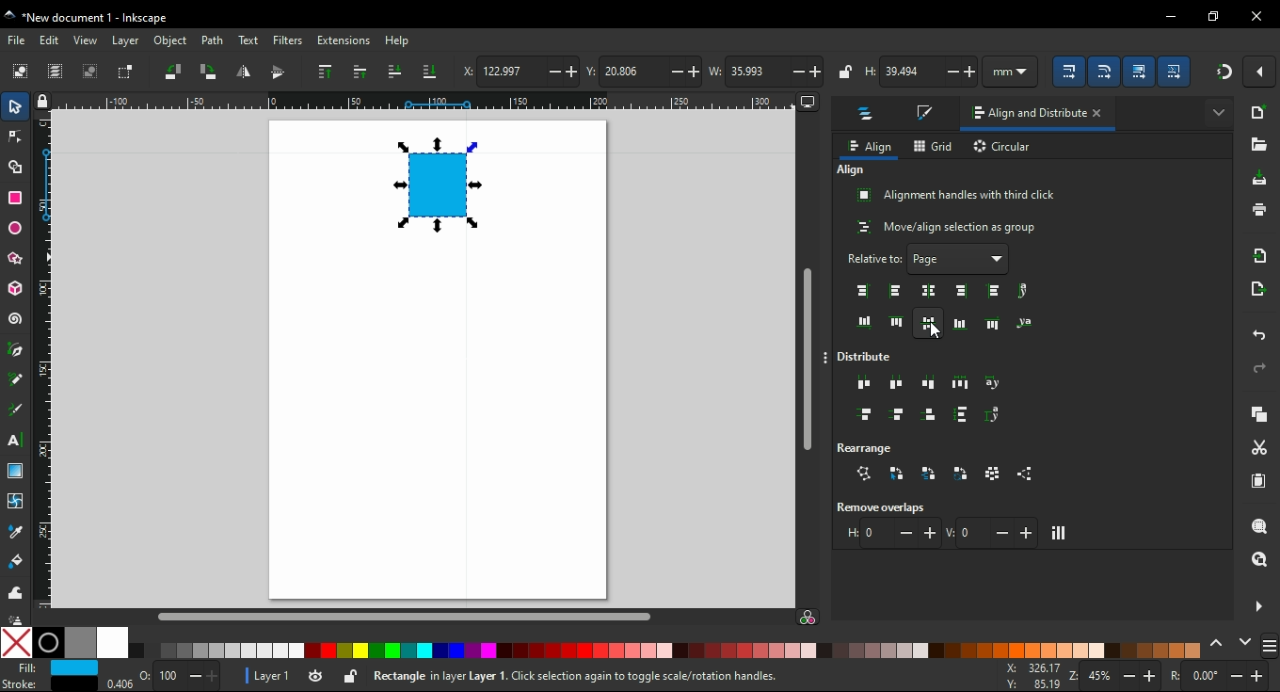  What do you see at coordinates (960, 323) in the screenshot?
I see `center on horizontal axis` at bounding box center [960, 323].